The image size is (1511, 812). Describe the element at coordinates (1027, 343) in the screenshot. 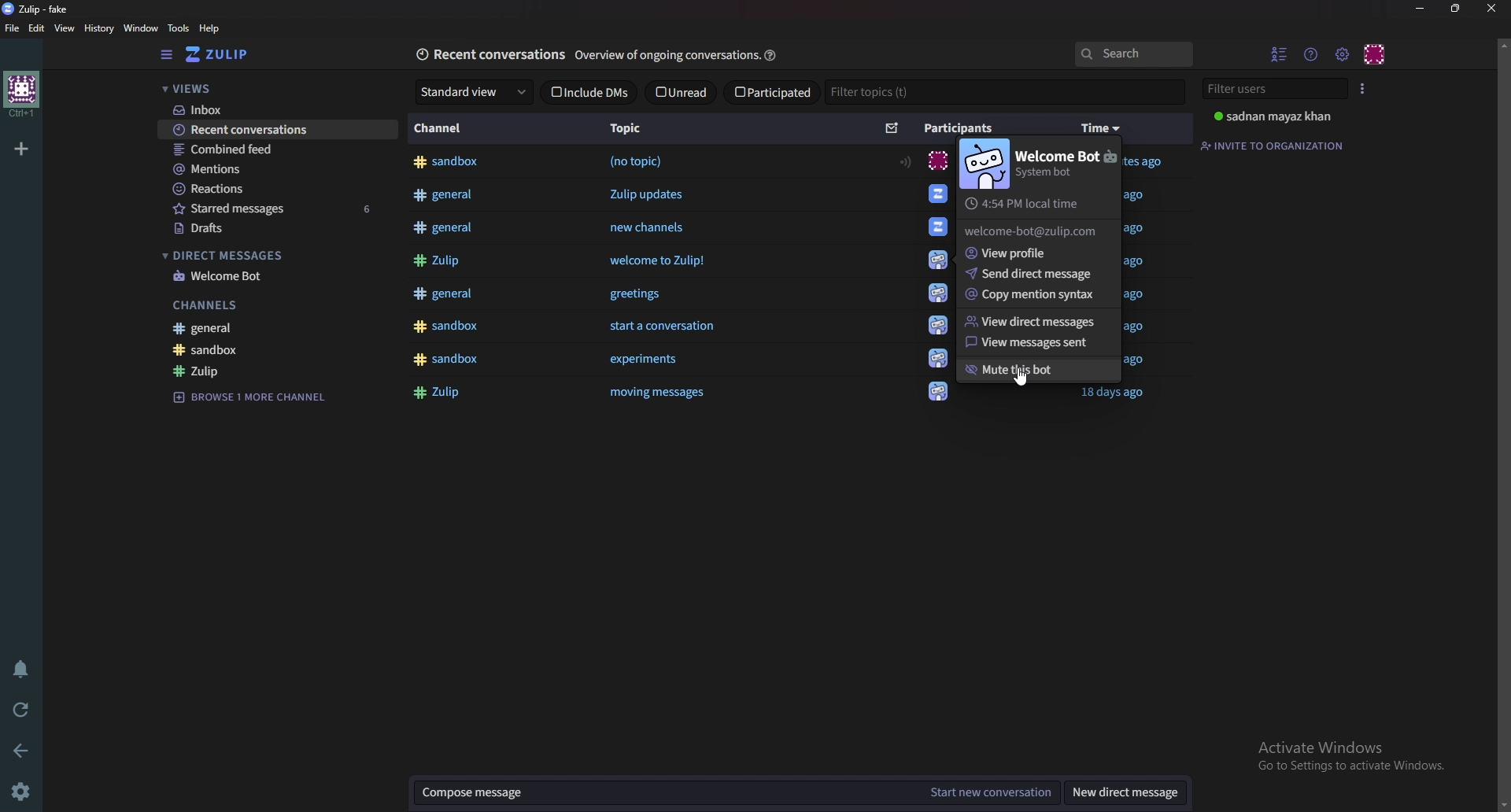

I see `View messages sent` at that location.